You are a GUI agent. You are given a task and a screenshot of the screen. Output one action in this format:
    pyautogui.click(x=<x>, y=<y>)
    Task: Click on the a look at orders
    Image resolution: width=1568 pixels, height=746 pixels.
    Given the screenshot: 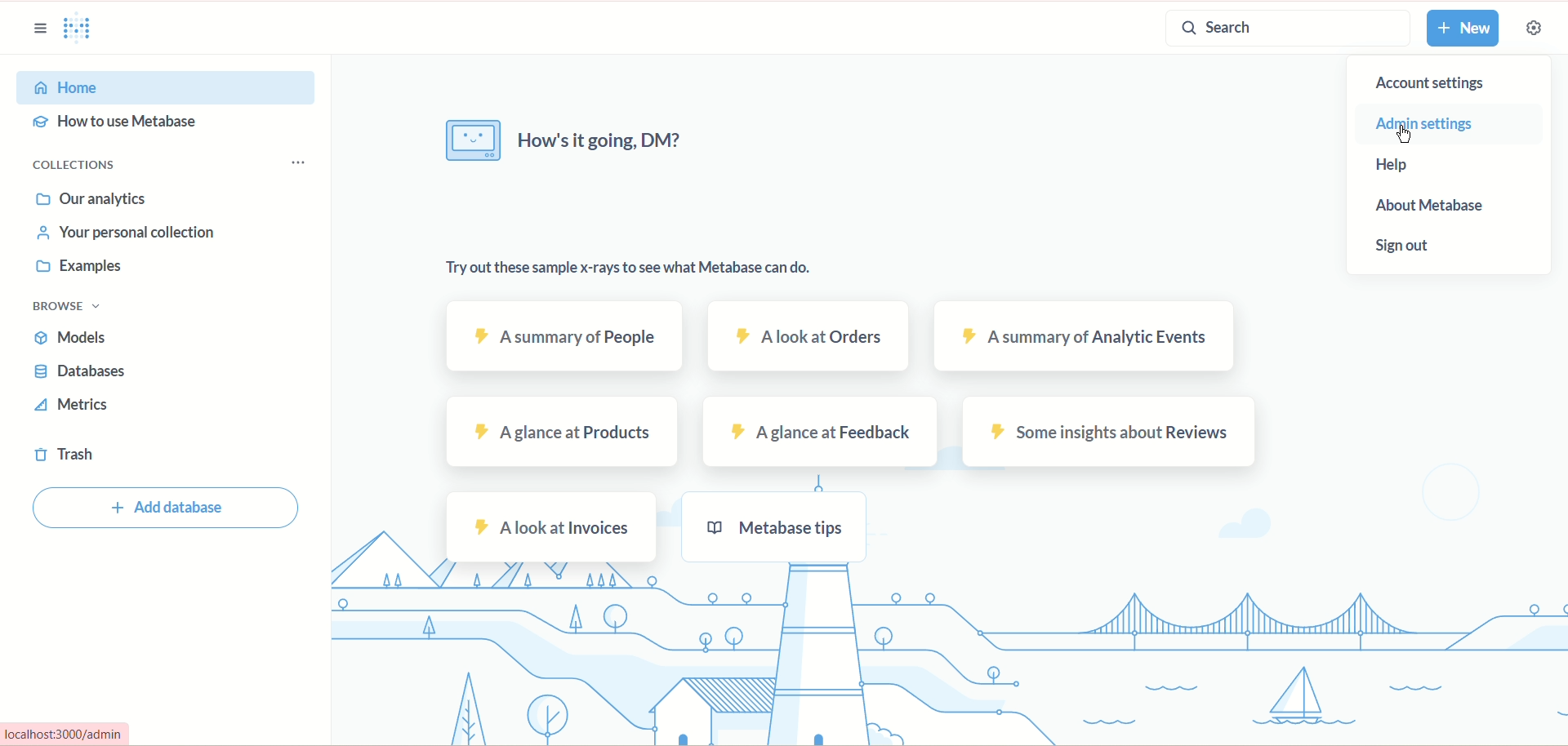 What is the action you would take?
    pyautogui.click(x=805, y=334)
    